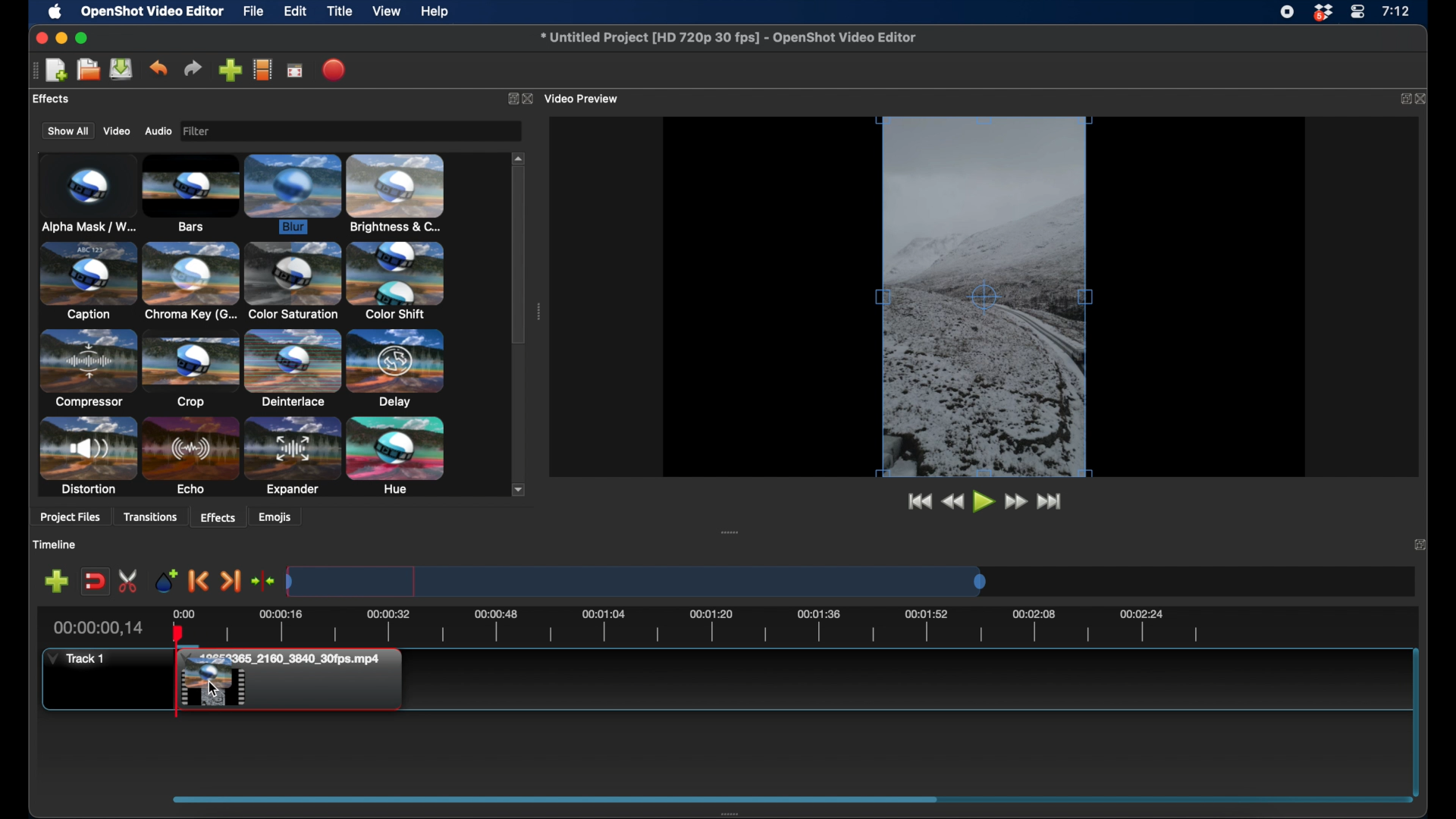 This screenshot has height=819, width=1456. Describe the element at coordinates (253, 11) in the screenshot. I see `file` at that location.